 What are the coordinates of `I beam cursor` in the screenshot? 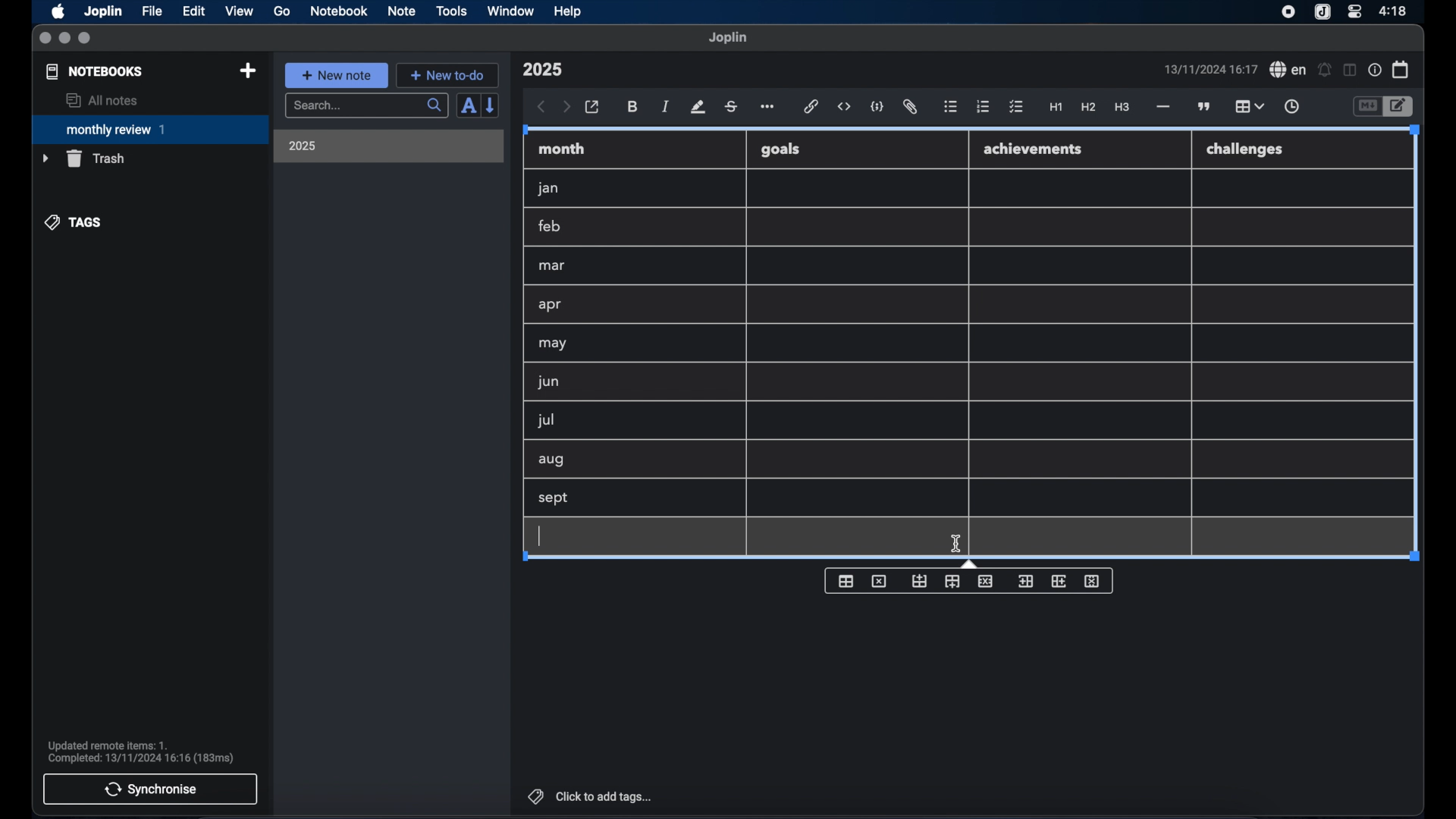 It's located at (957, 544).